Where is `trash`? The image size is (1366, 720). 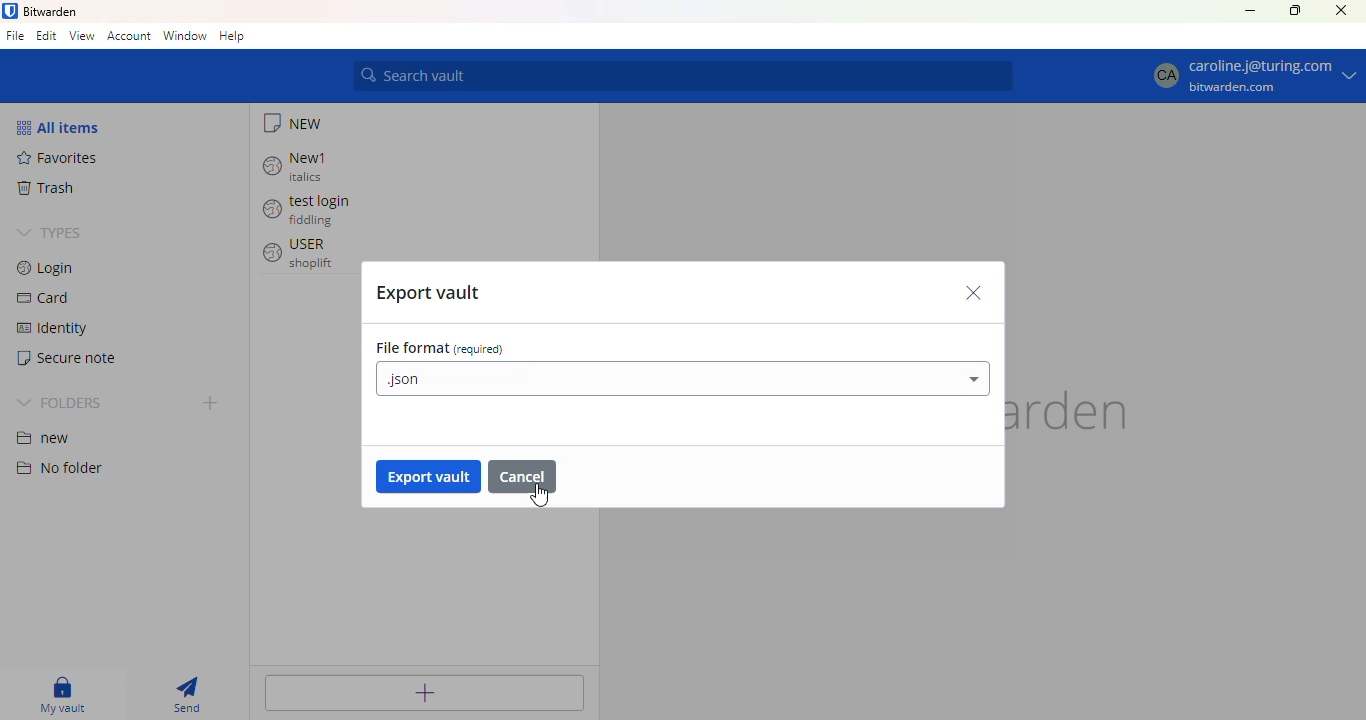
trash is located at coordinates (44, 188).